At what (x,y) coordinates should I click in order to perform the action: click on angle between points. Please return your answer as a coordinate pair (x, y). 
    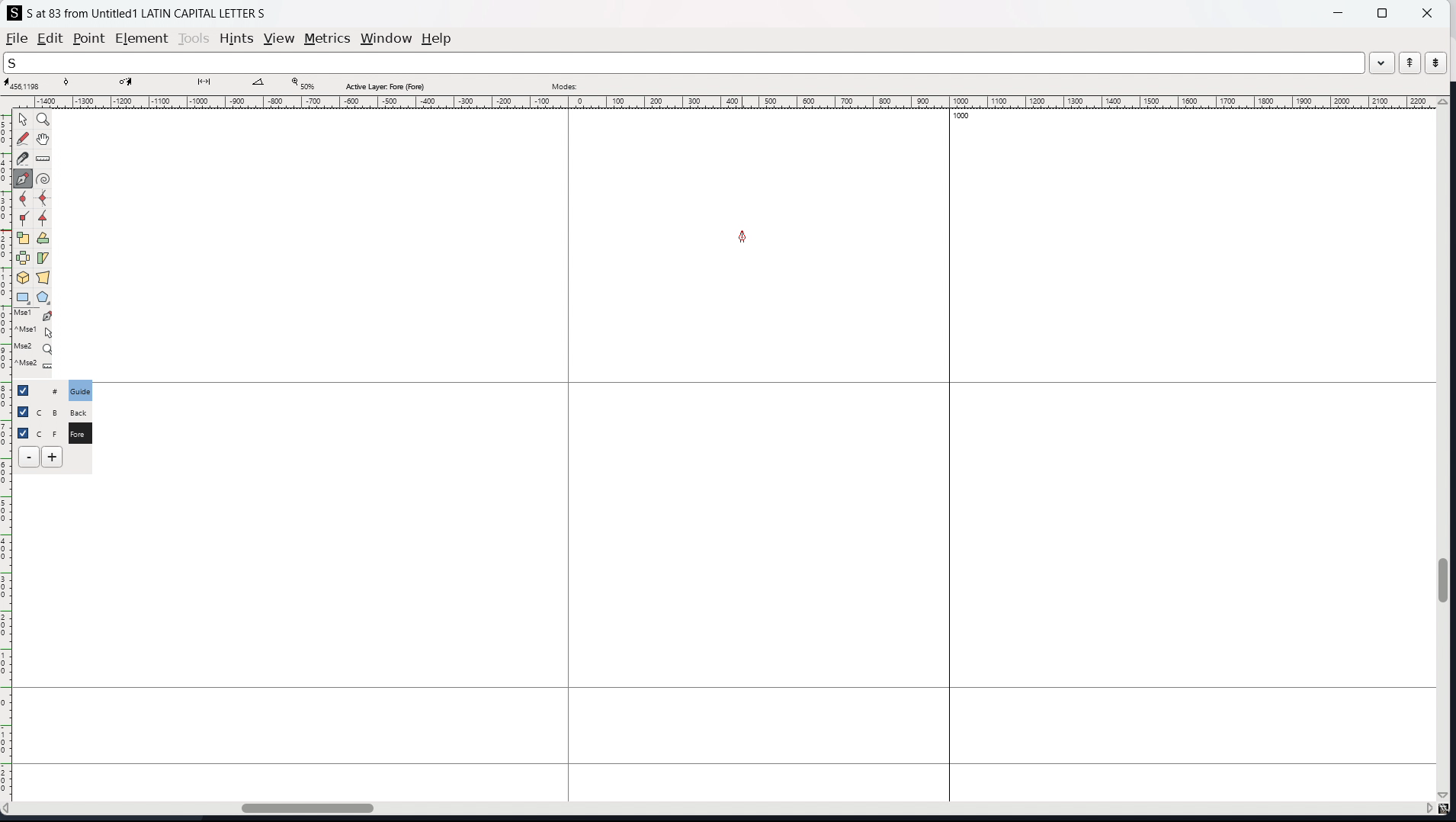
    Looking at the image, I should click on (260, 84).